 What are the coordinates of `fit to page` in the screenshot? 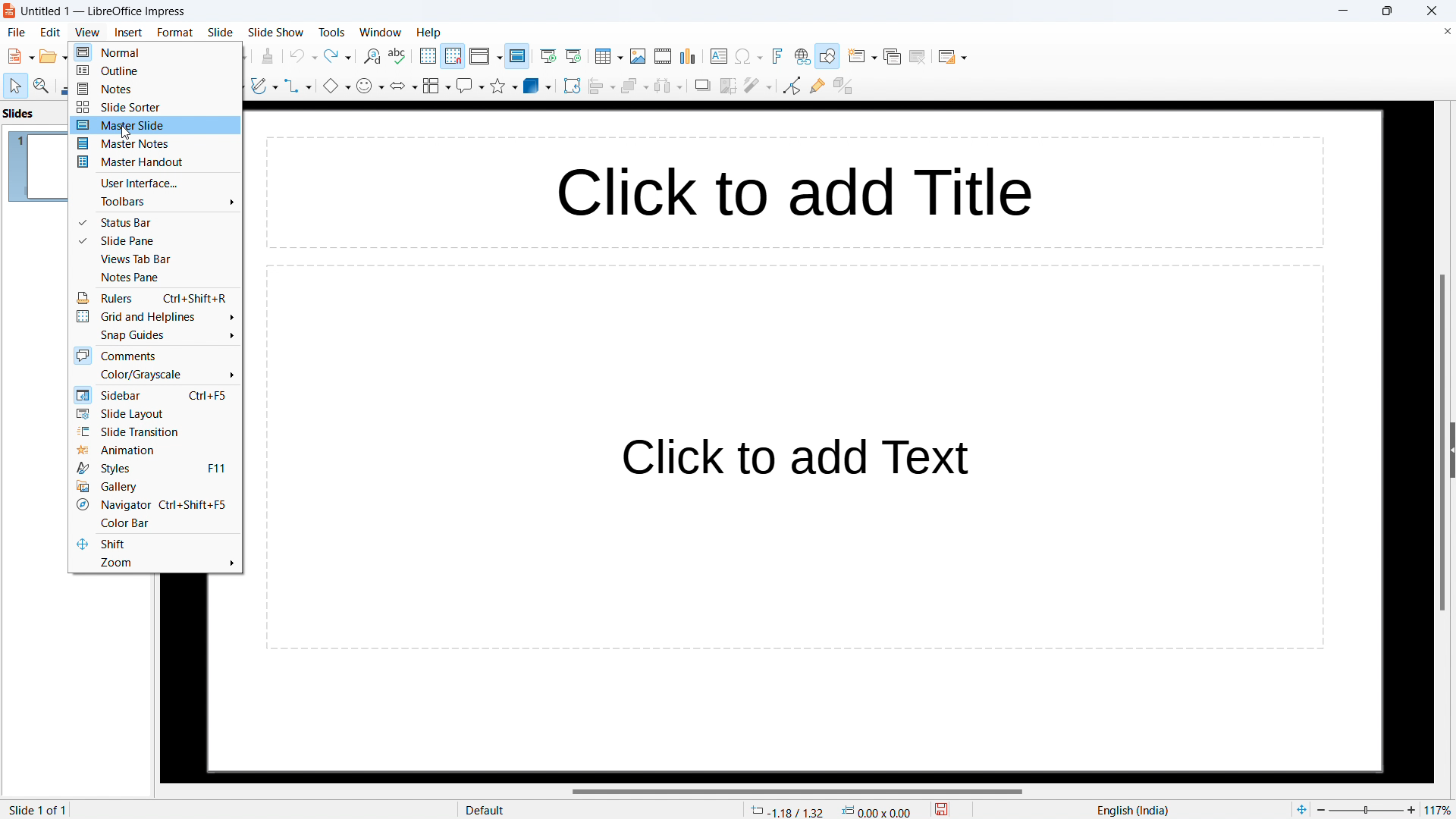 It's located at (1301, 809).